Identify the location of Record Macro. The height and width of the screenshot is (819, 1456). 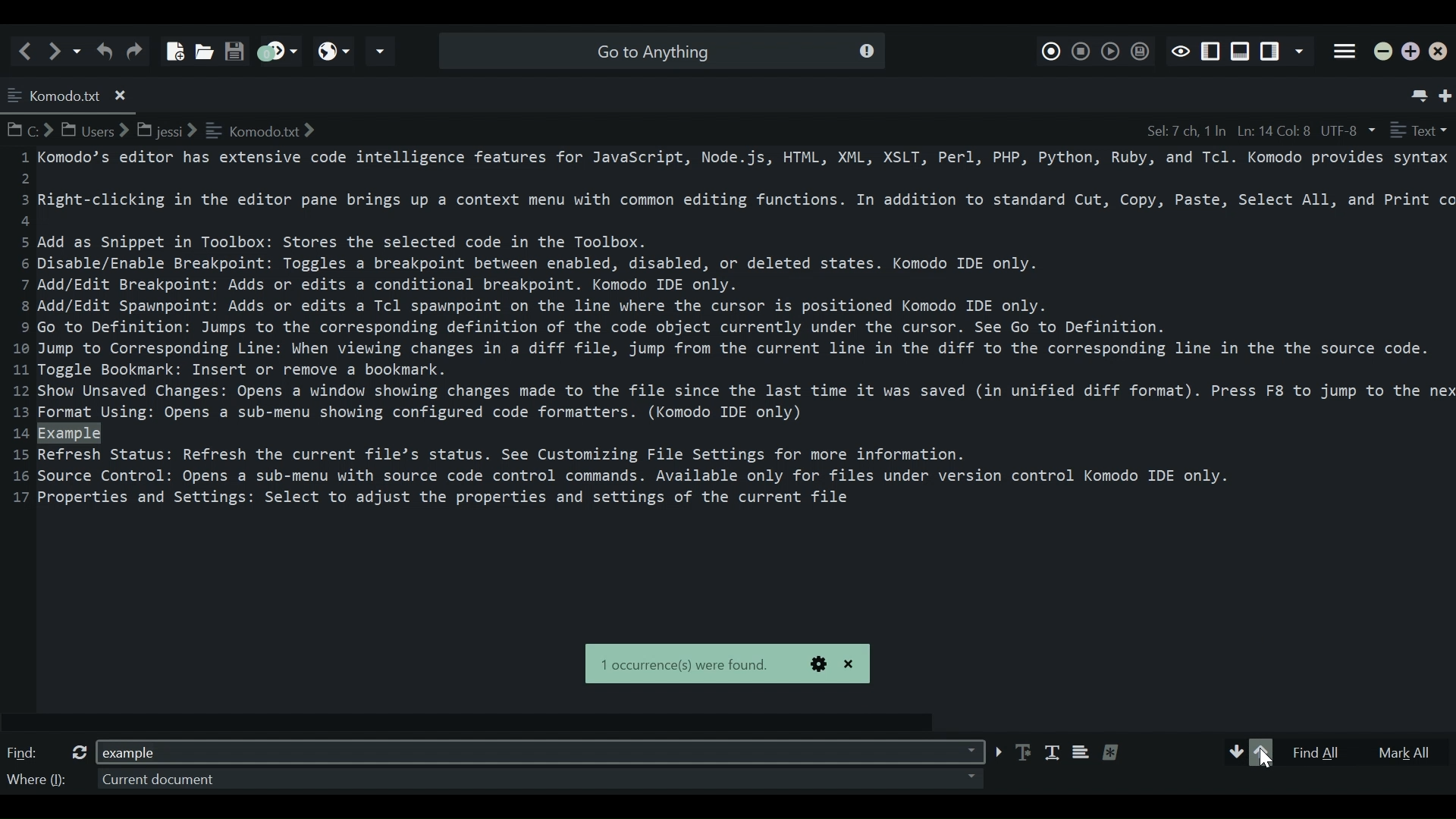
(1052, 49).